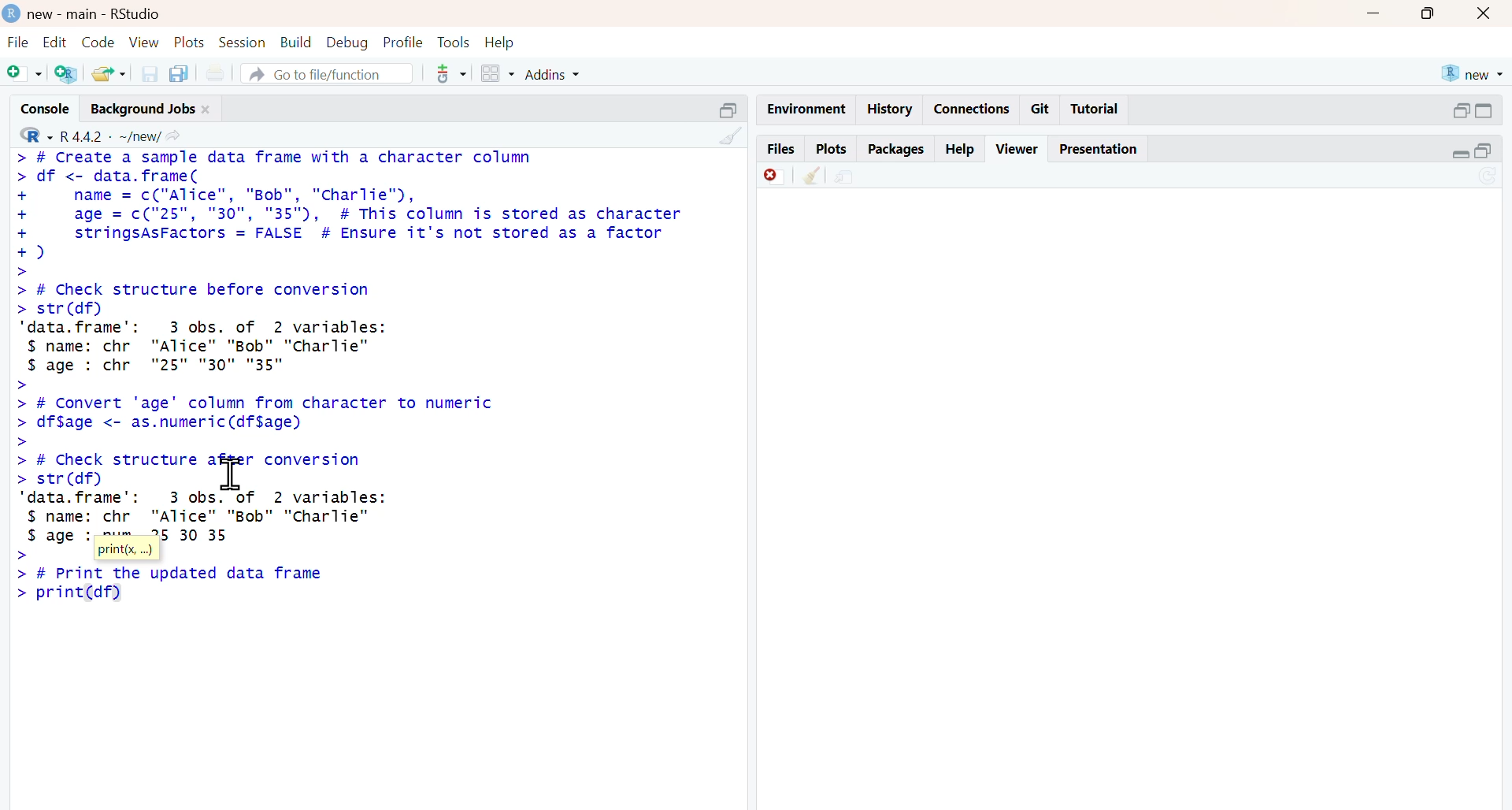 Image resolution: width=1512 pixels, height=810 pixels. Describe the element at coordinates (1473, 73) in the screenshot. I see `new` at that location.